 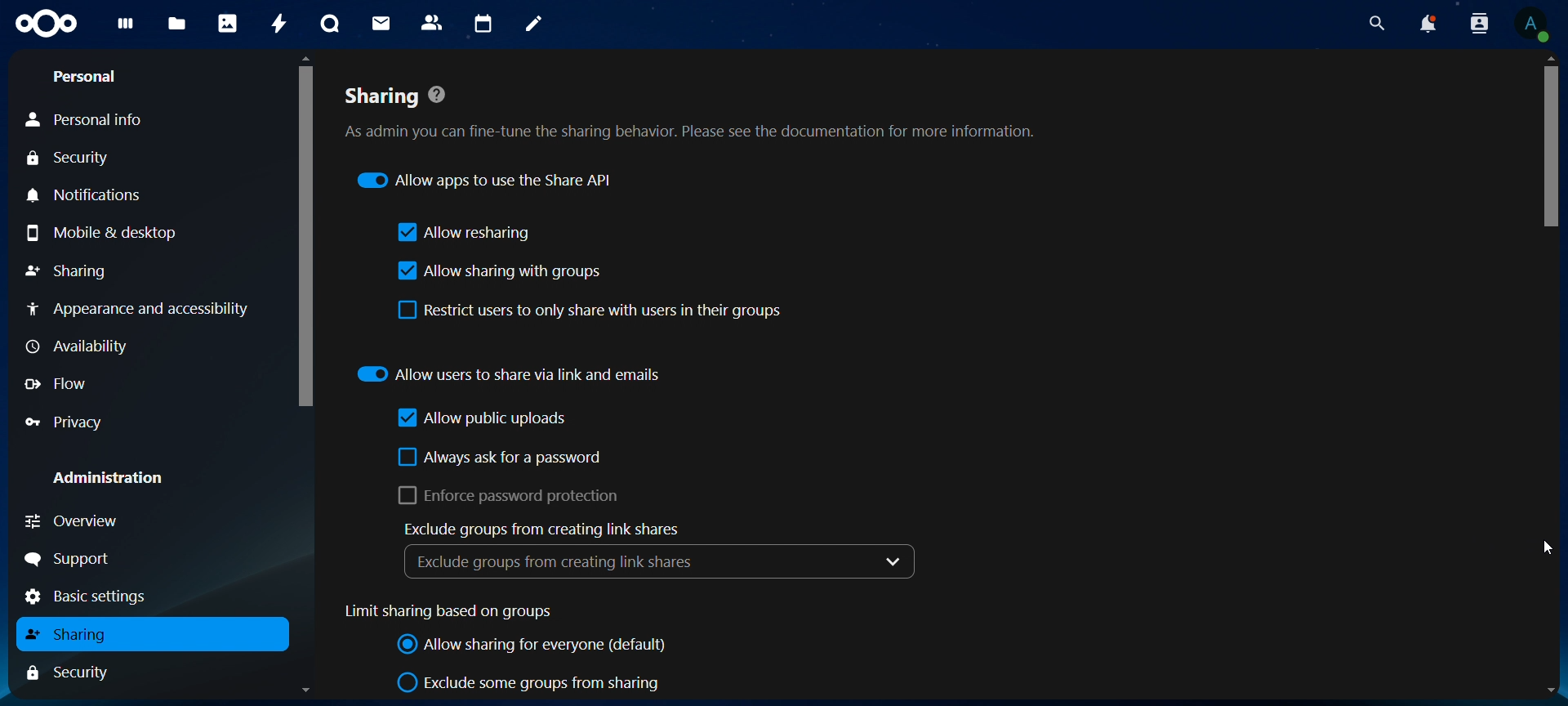 I want to click on restrict users to only share with users in their groups, so click(x=595, y=309).